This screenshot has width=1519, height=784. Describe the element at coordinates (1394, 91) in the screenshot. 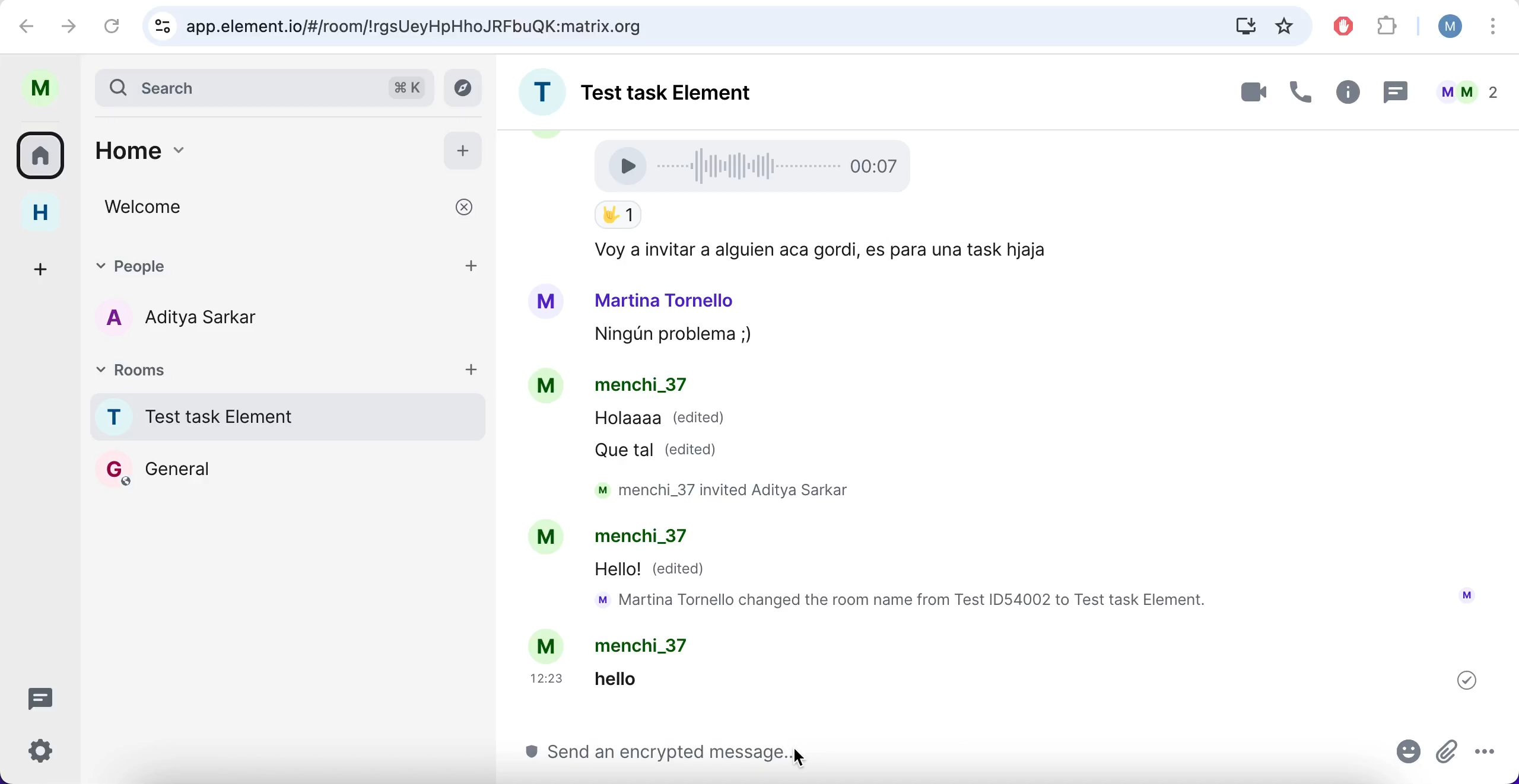

I see `thread` at that location.